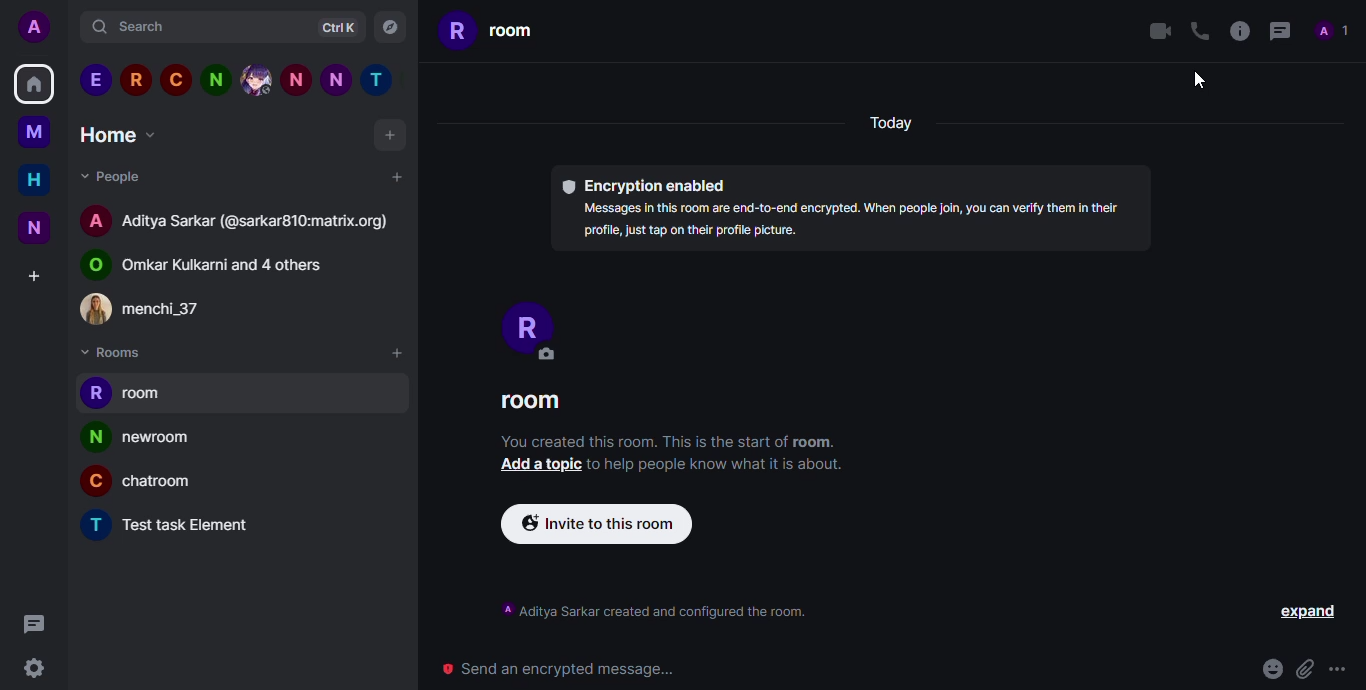 Image resolution: width=1366 pixels, height=690 pixels. Describe the element at coordinates (123, 179) in the screenshot. I see `People dropdown` at that location.